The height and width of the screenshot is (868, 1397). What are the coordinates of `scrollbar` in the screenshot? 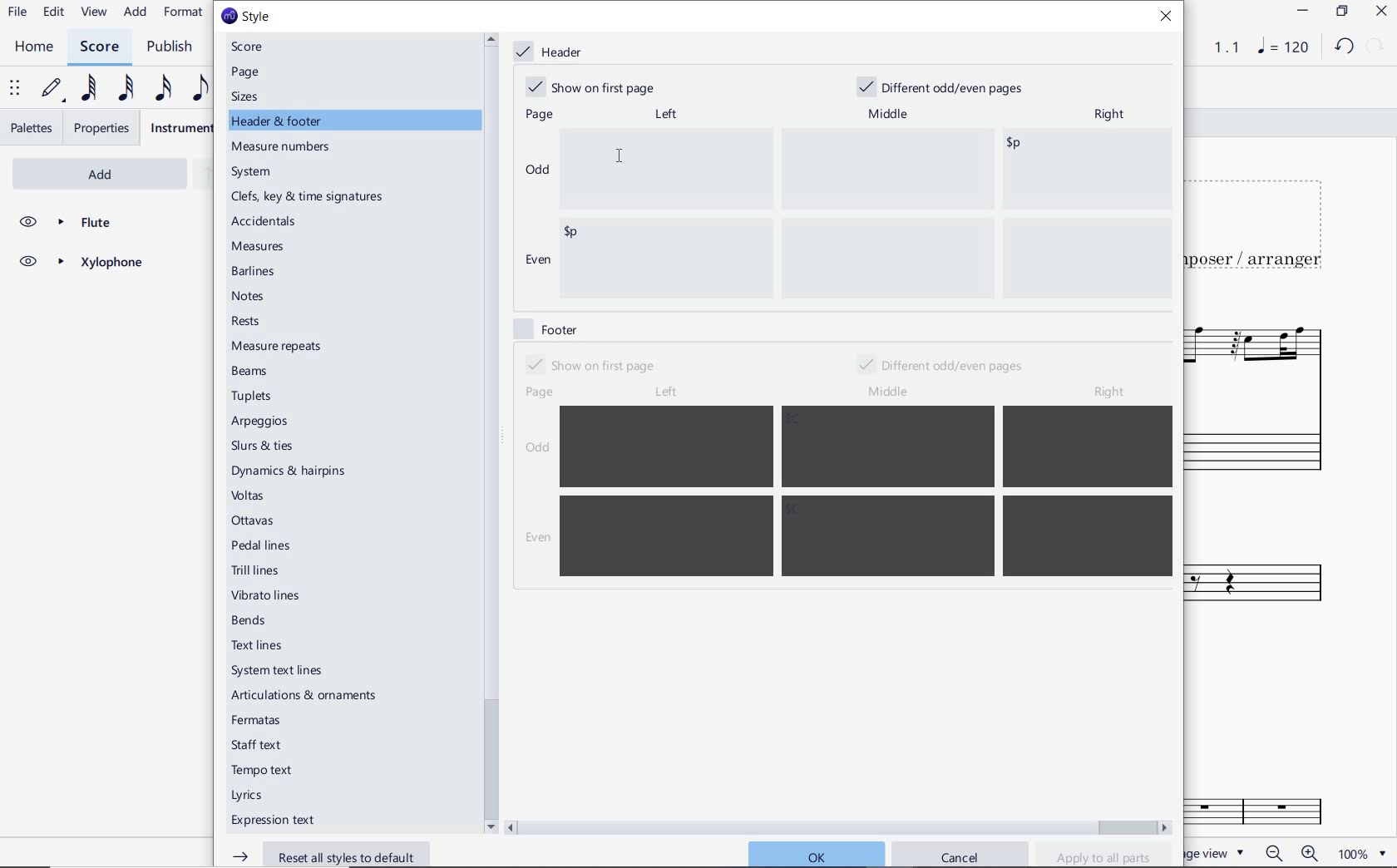 It's located at (489, 432).